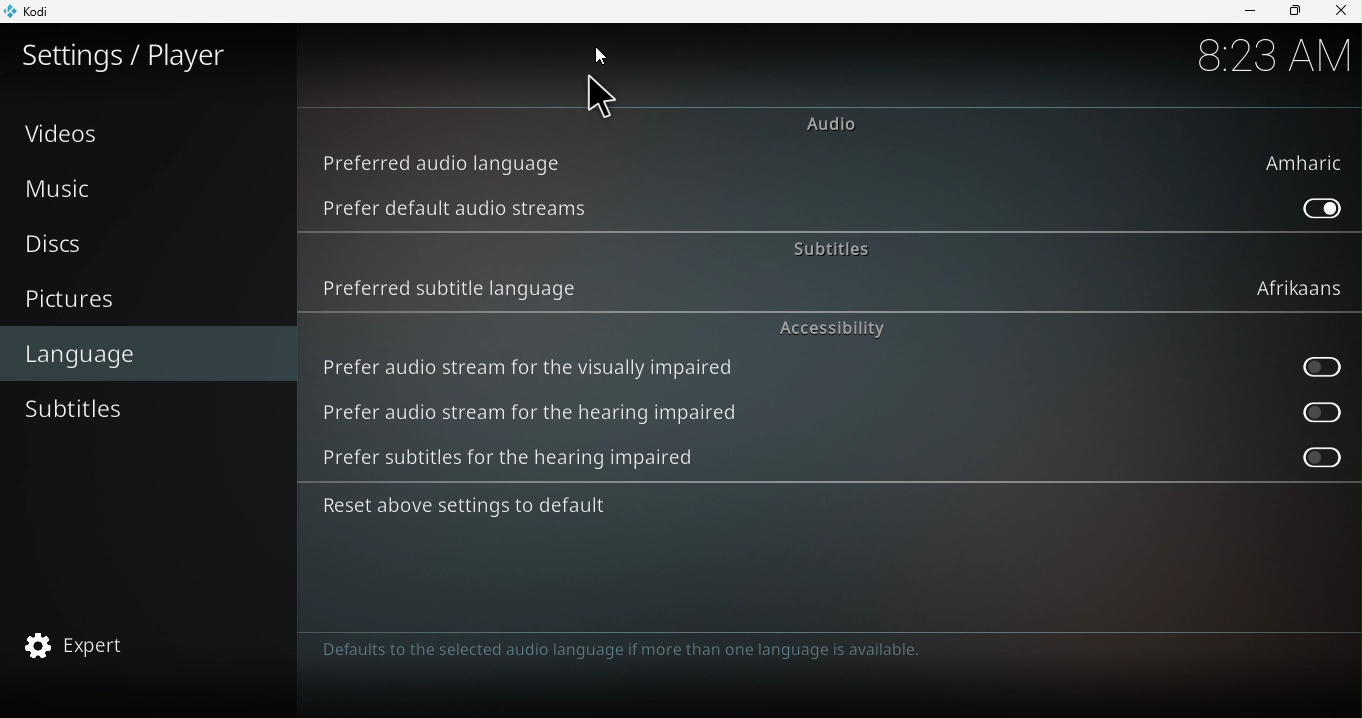  Describe the element at coordinates (604, 55) in the screenshot. I see `system cursor` at that location.